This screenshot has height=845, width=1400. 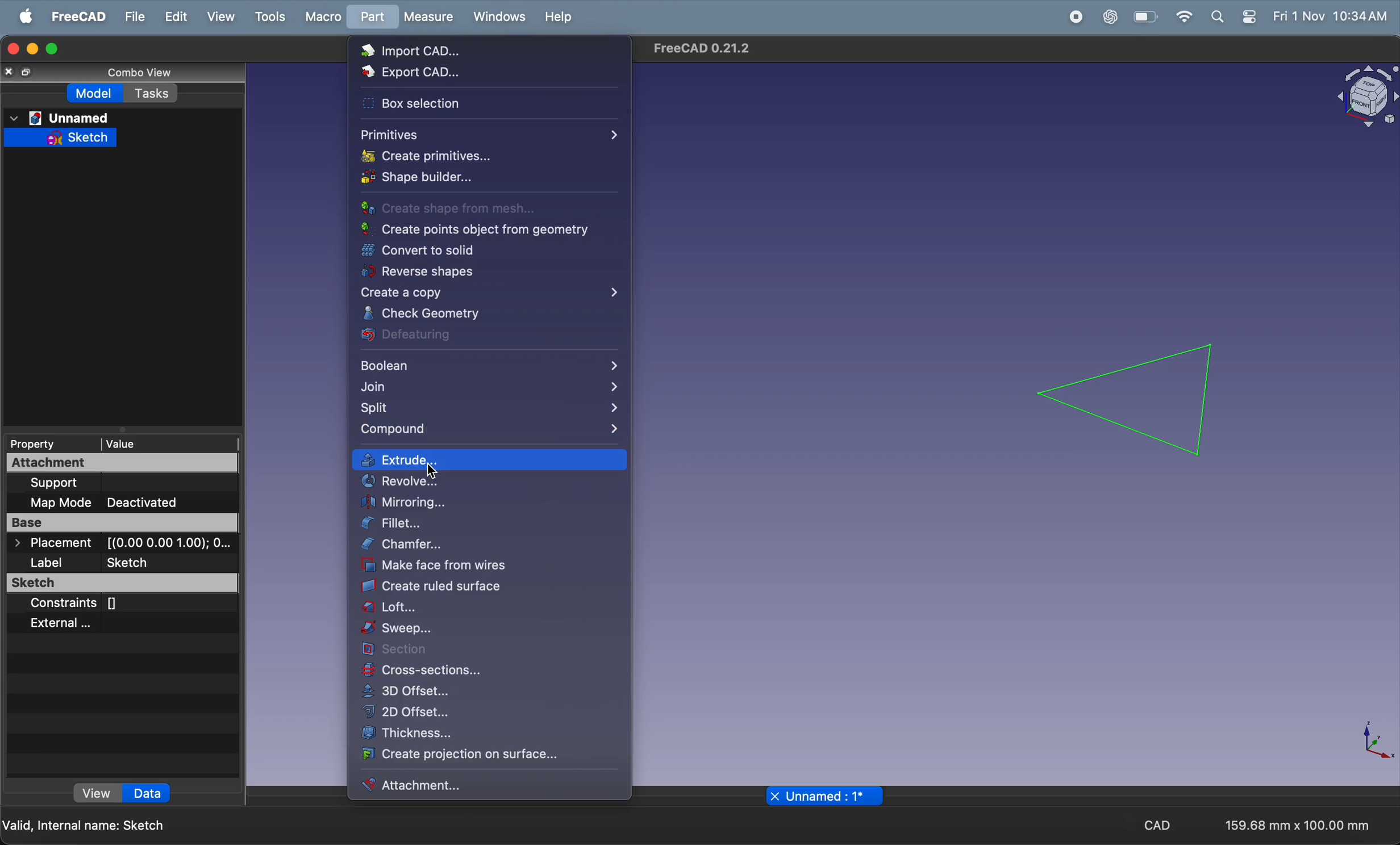 I want to click on file, so click(x=134, y=16).